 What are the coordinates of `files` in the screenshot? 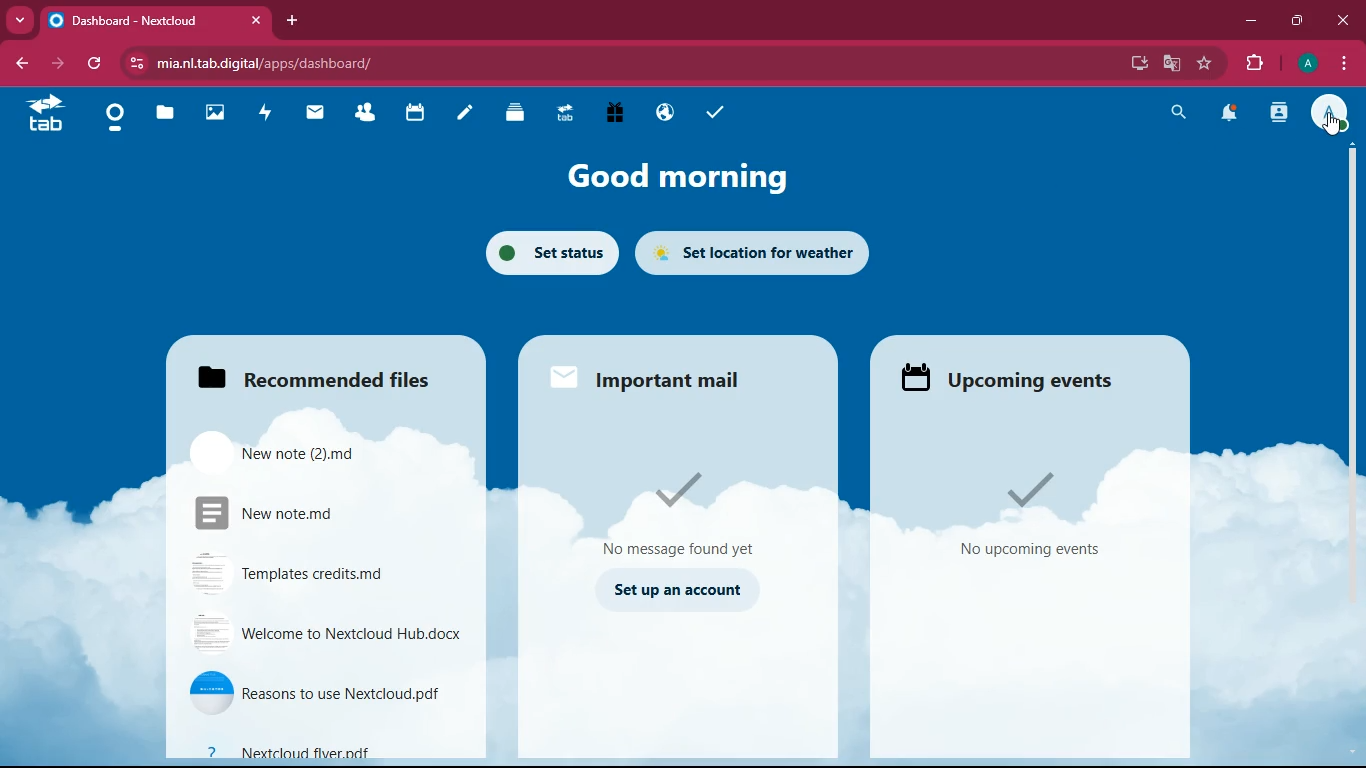 It's located at (309, 378).